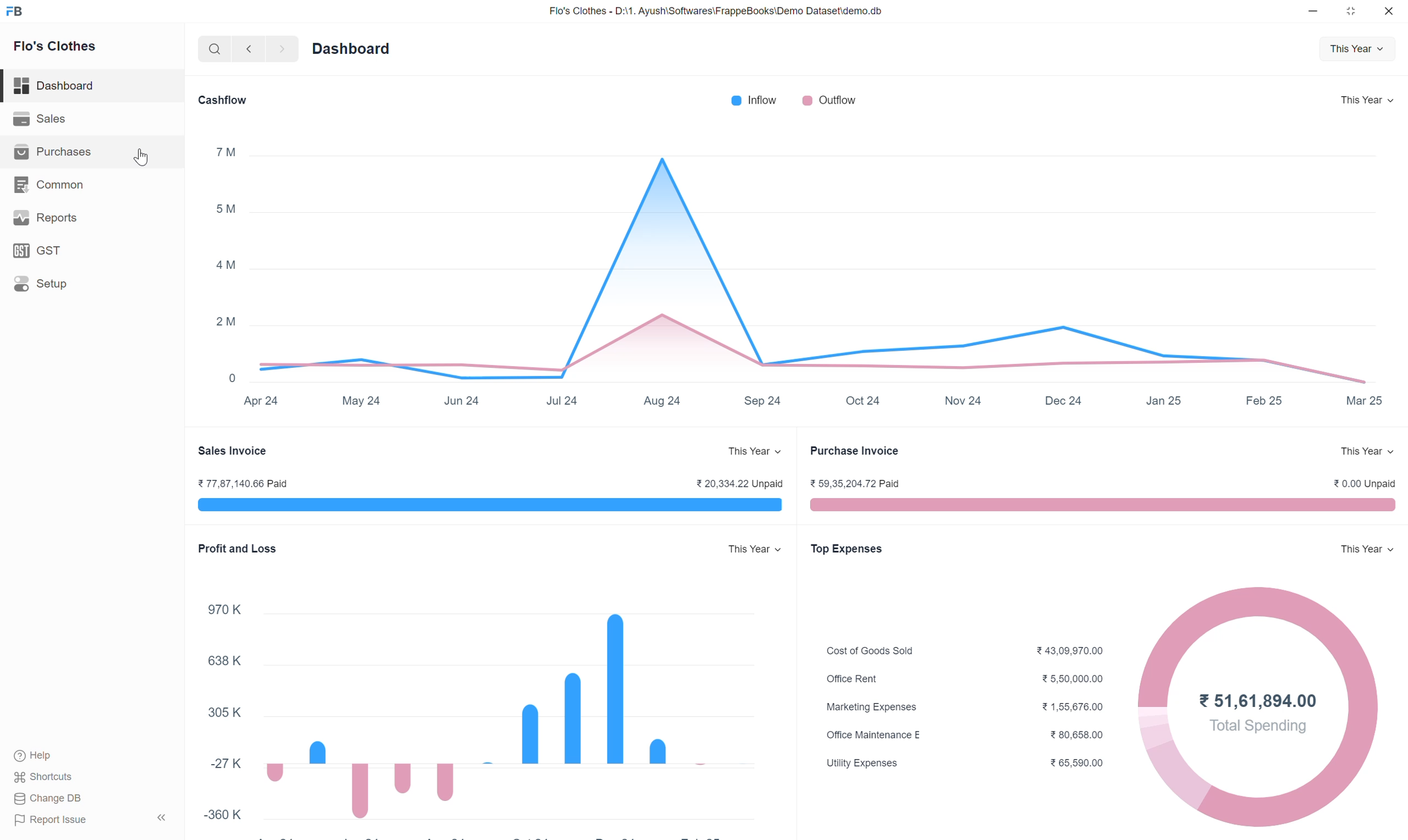  Describe the element at coordinates (1352, 11) in the screenshot. I see `restore` at that location.